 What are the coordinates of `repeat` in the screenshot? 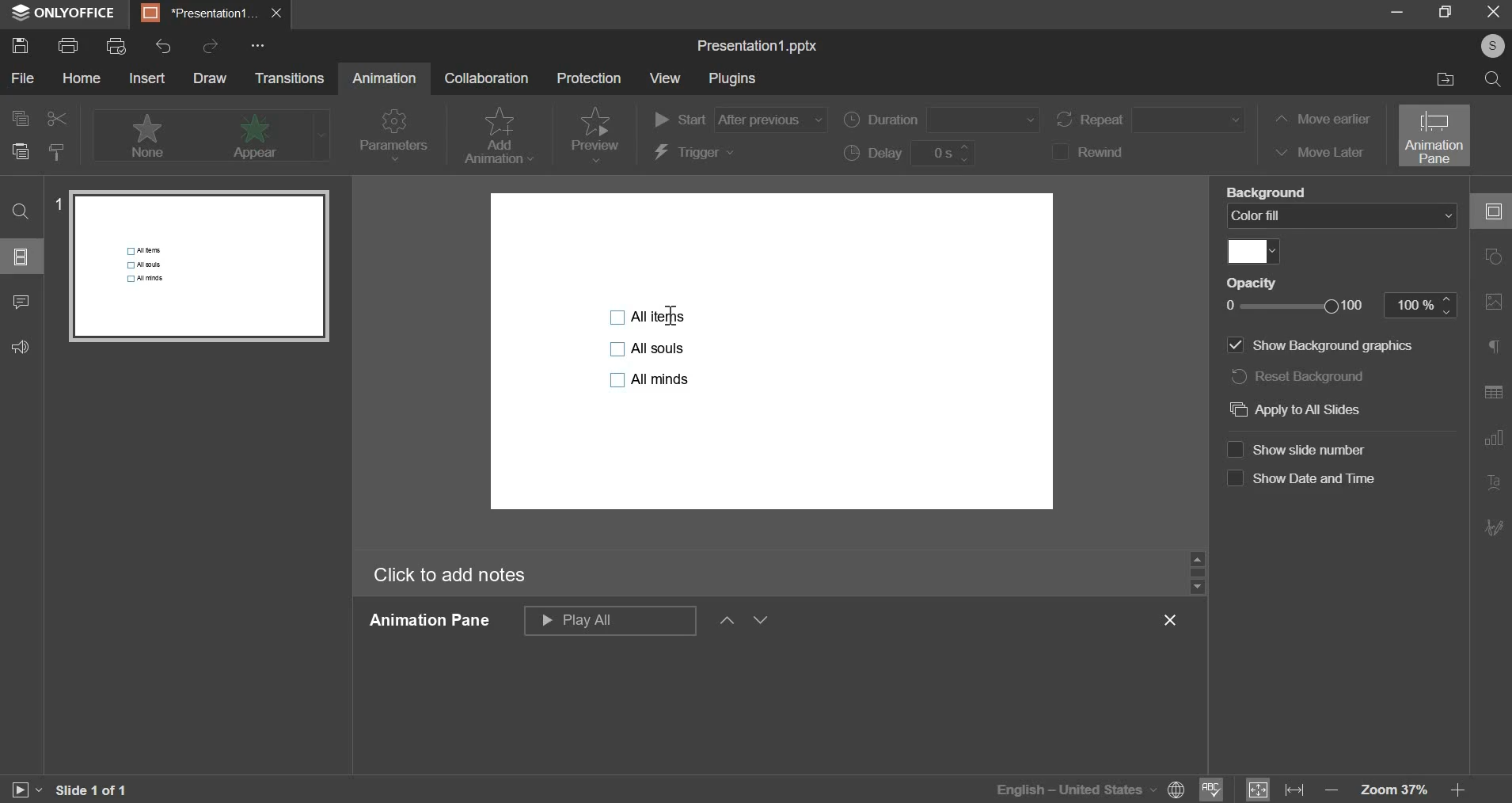 It's located at (1153, 120).